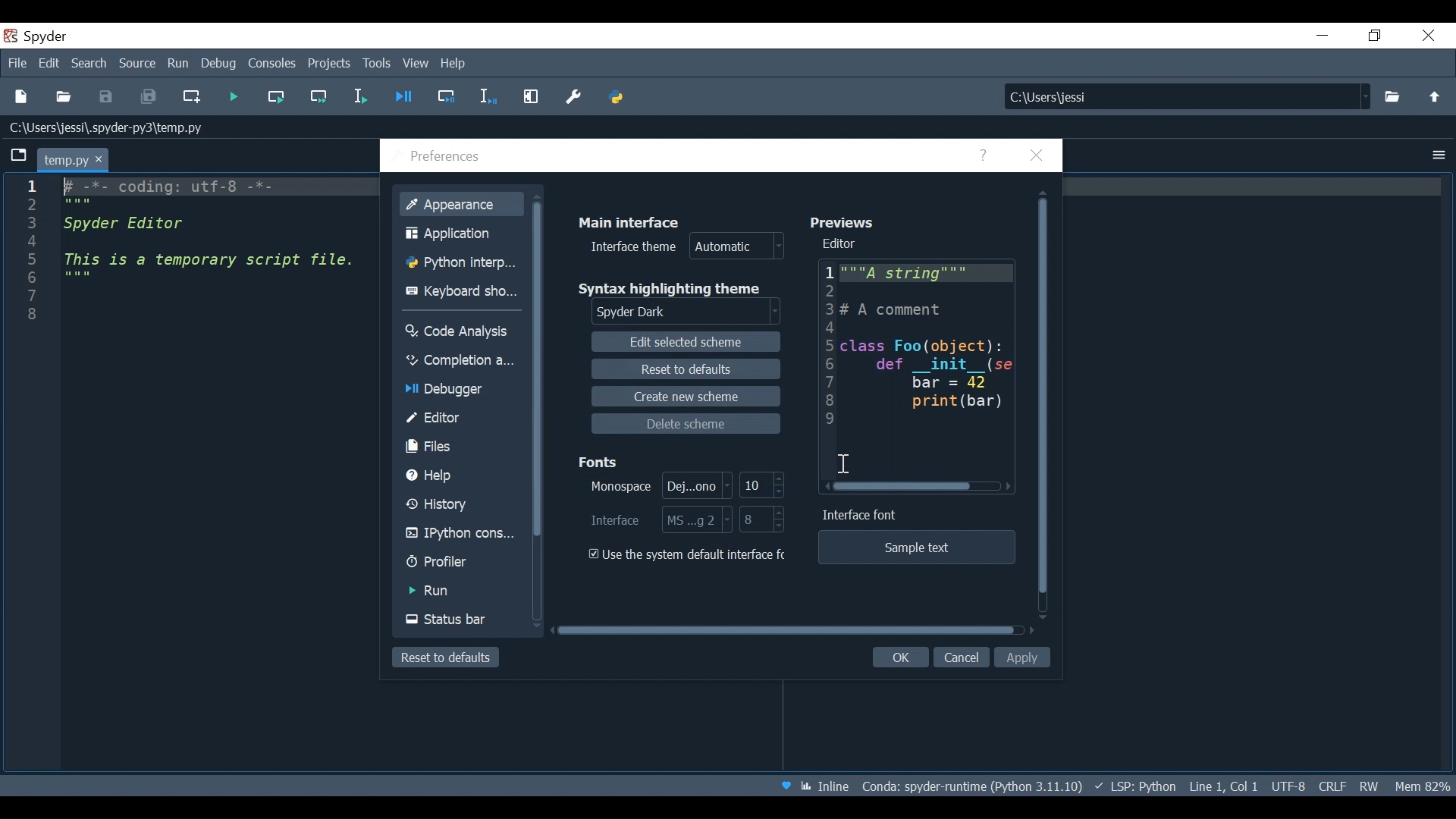 Image resolution: width=1456 pixels, height=819 pixels. I want to click on Browse Tabs, so click(20, 156).